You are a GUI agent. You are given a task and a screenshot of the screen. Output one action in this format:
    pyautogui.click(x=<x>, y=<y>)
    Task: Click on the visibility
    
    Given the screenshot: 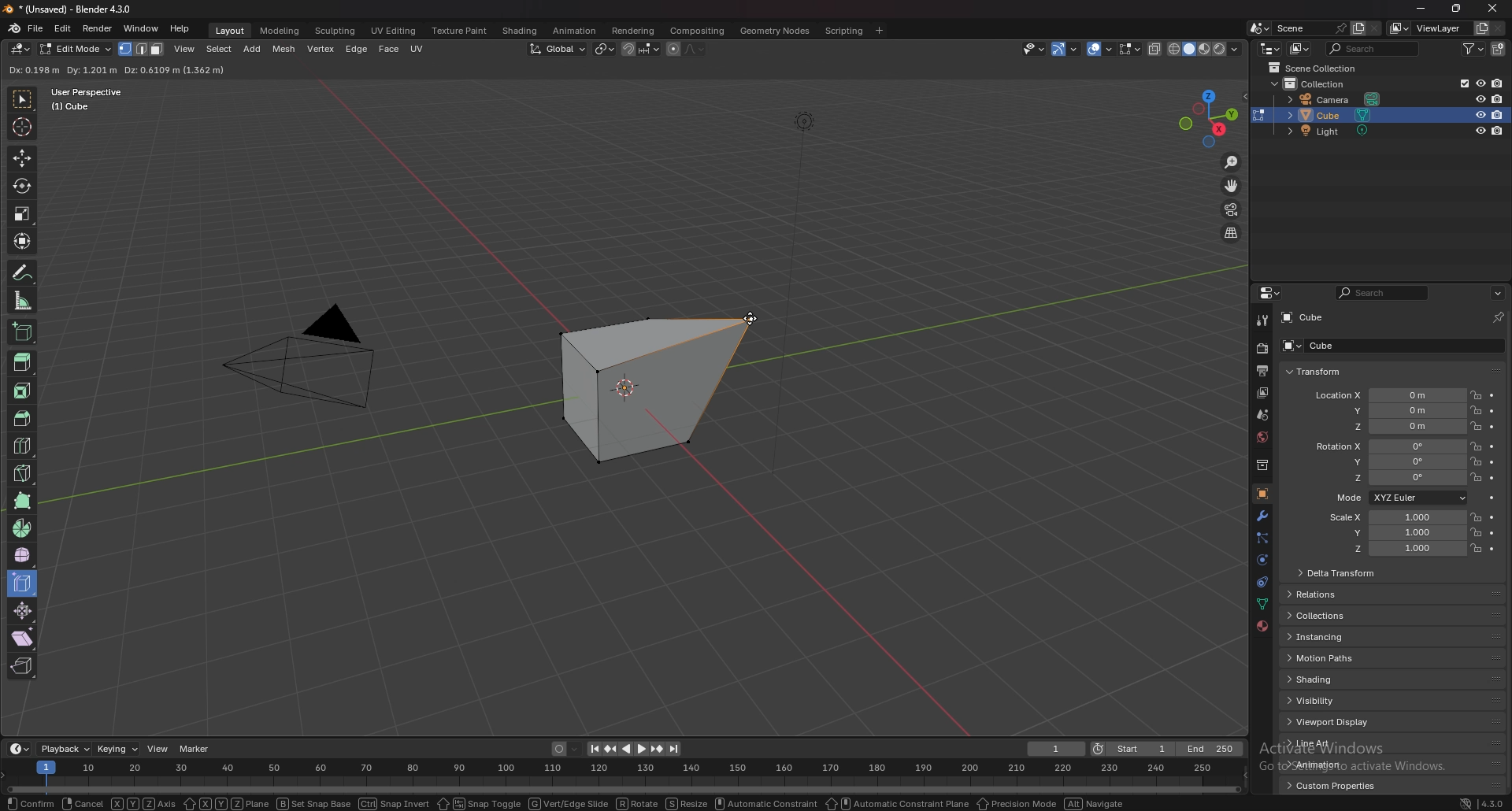 What is the action you would take?
    pyautogui.click(x=1317, y=700)
    